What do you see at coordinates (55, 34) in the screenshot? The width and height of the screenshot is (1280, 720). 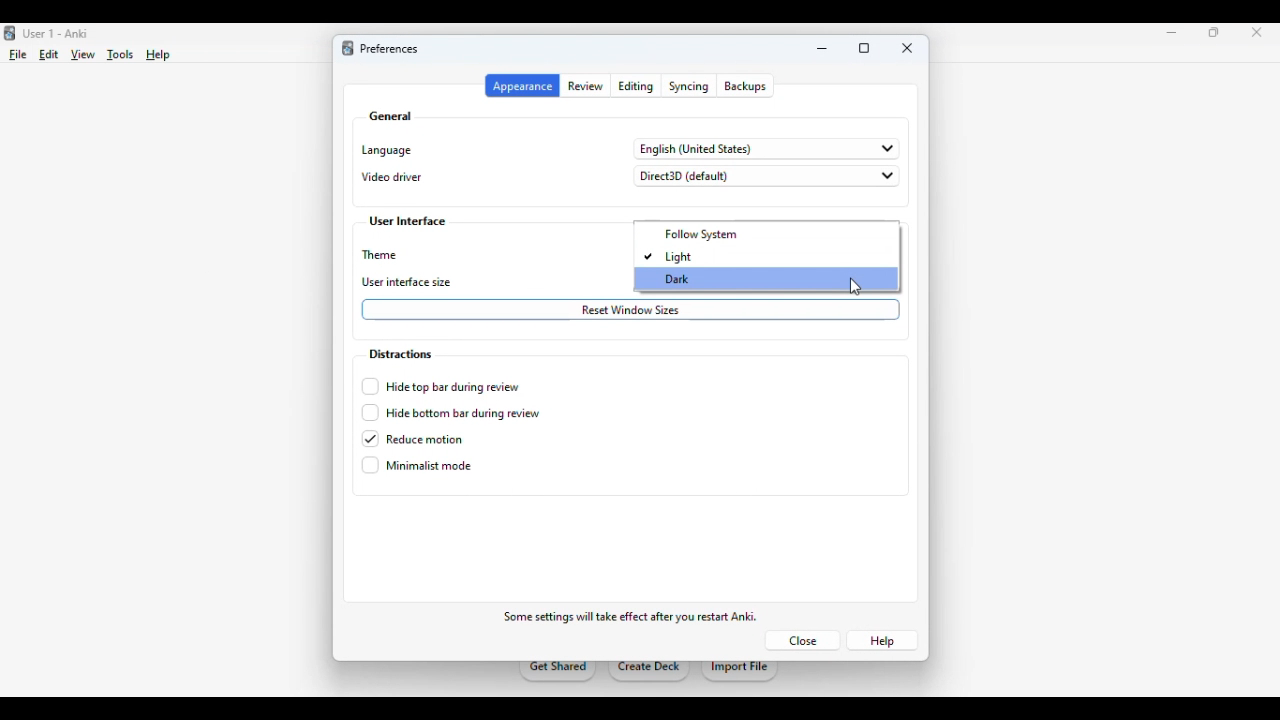 I see `Use 1 - Anki` at bounding box center [55, 34].